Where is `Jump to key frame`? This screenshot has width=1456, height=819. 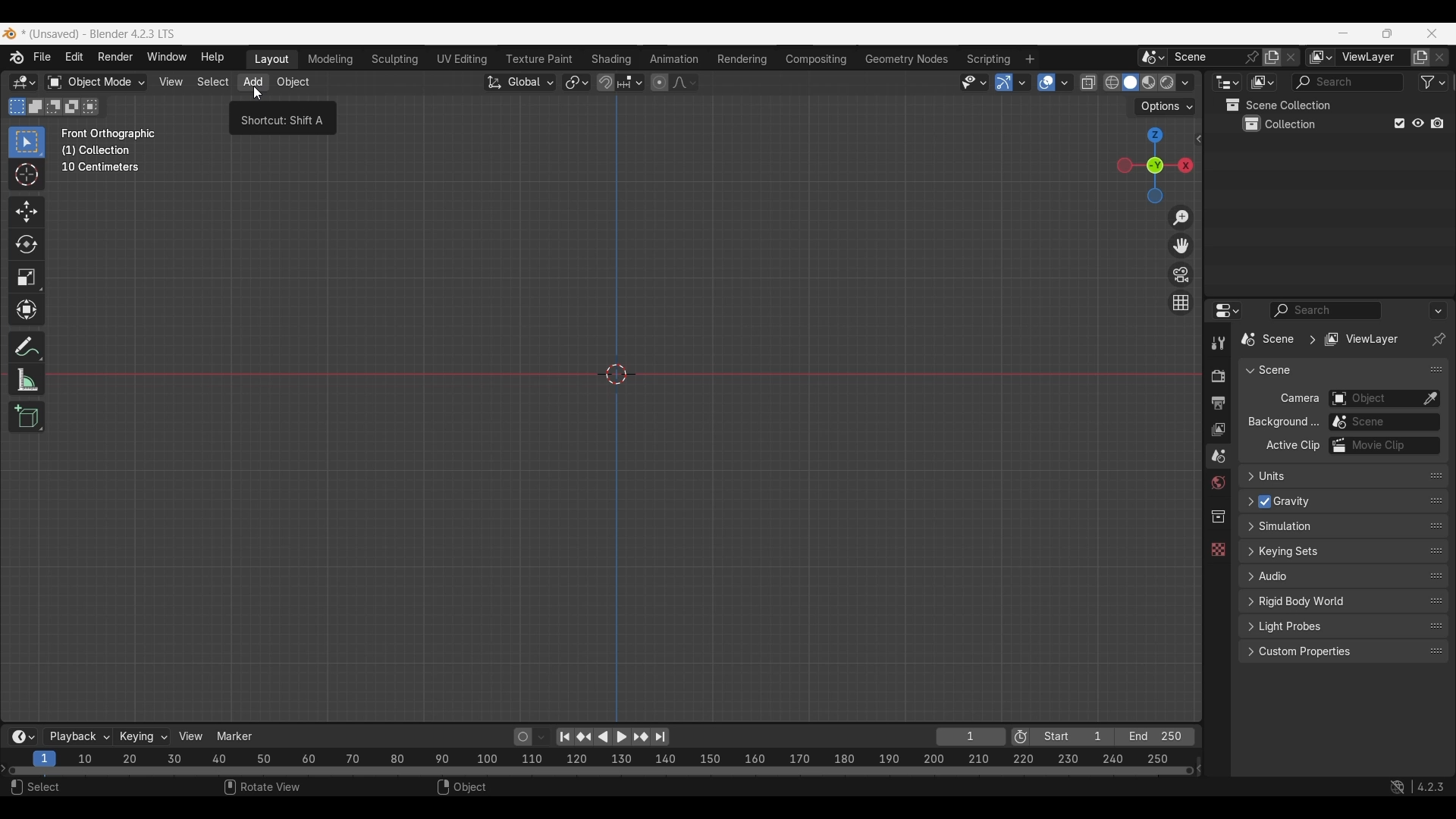
Jump to key frame is located at coordinates (641, 737).